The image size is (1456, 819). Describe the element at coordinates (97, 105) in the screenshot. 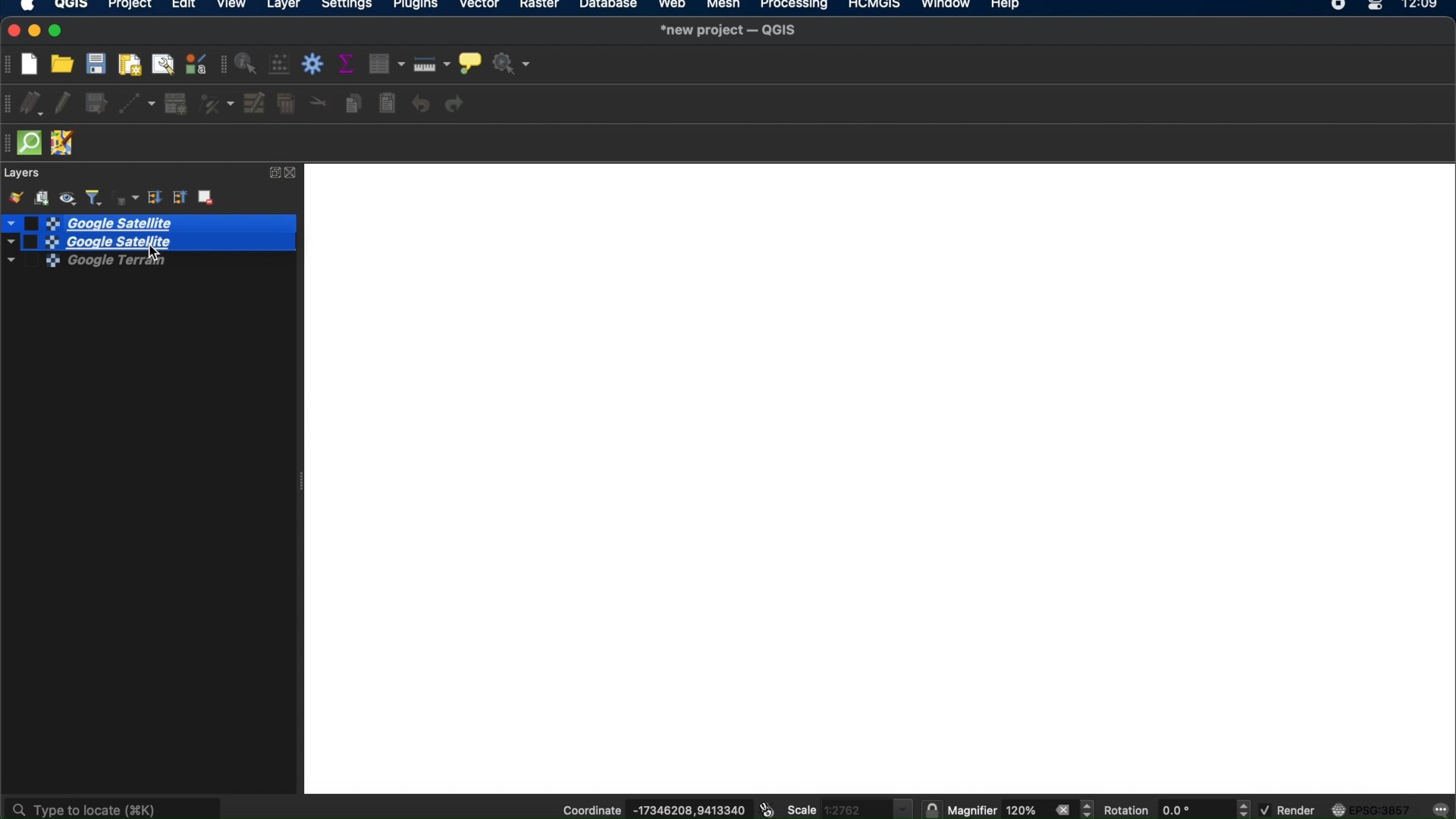

I see `save layer edits` at that location.